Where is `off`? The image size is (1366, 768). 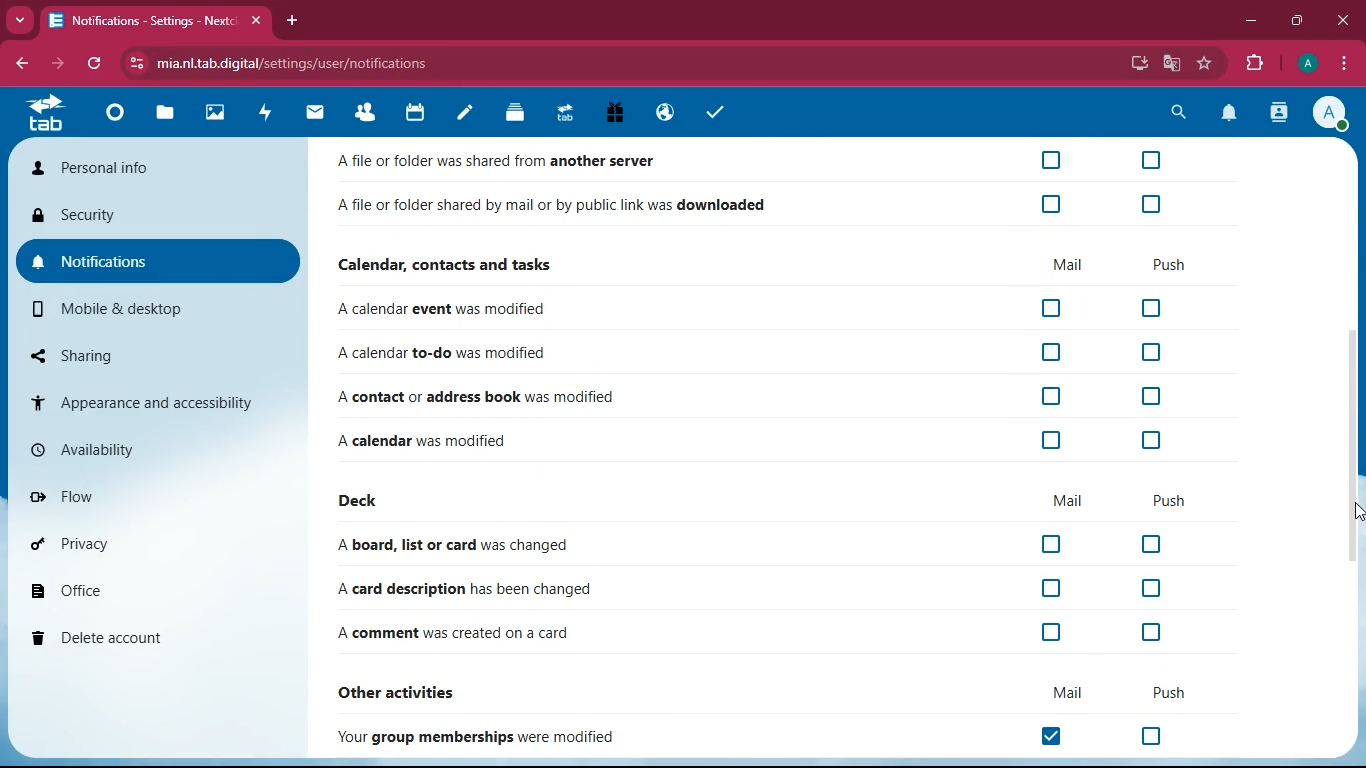 off is located at coordinates (1054, 544).